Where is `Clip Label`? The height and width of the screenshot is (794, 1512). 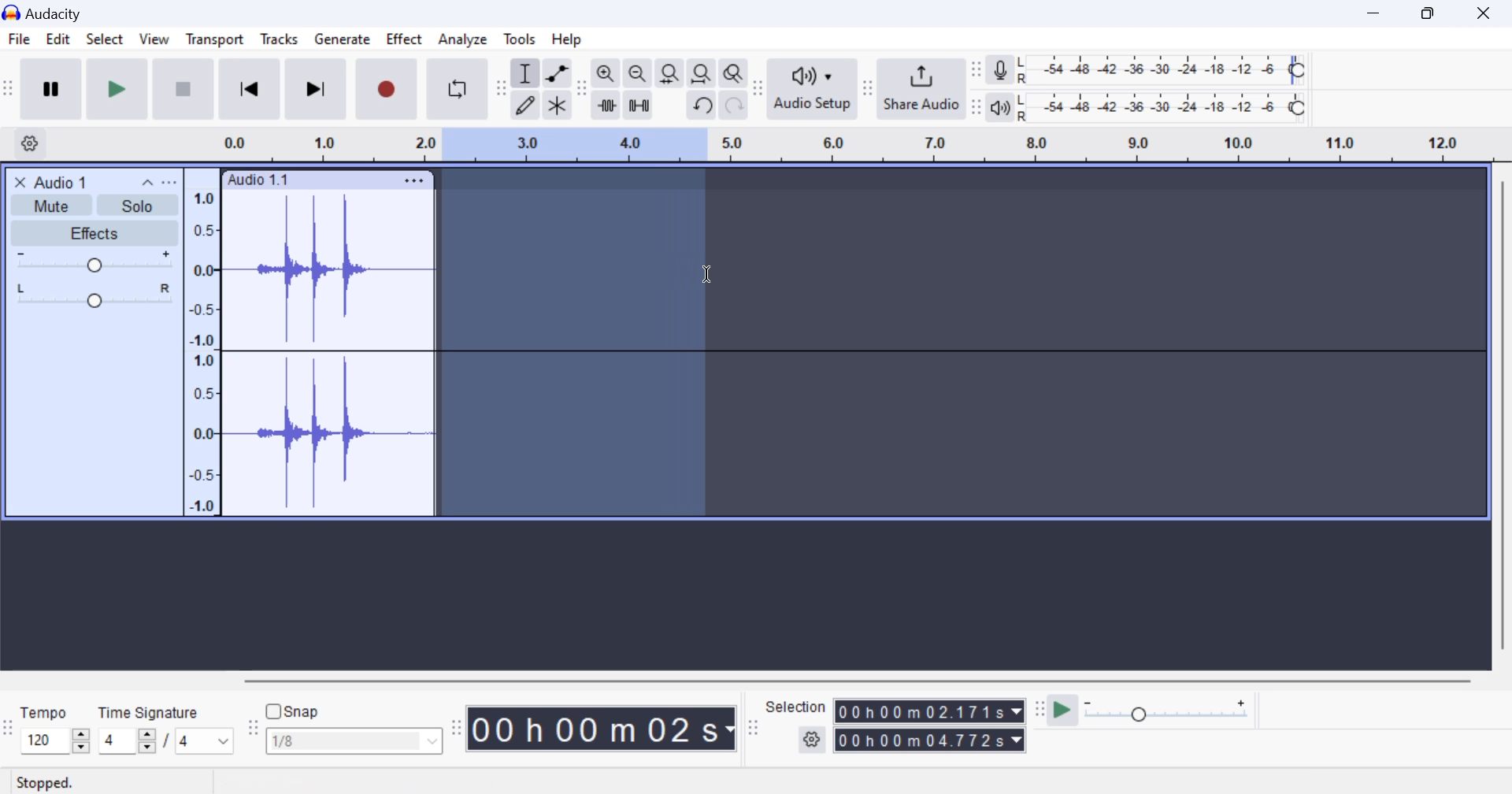 Clip Label is located at coordinates (259, 180).